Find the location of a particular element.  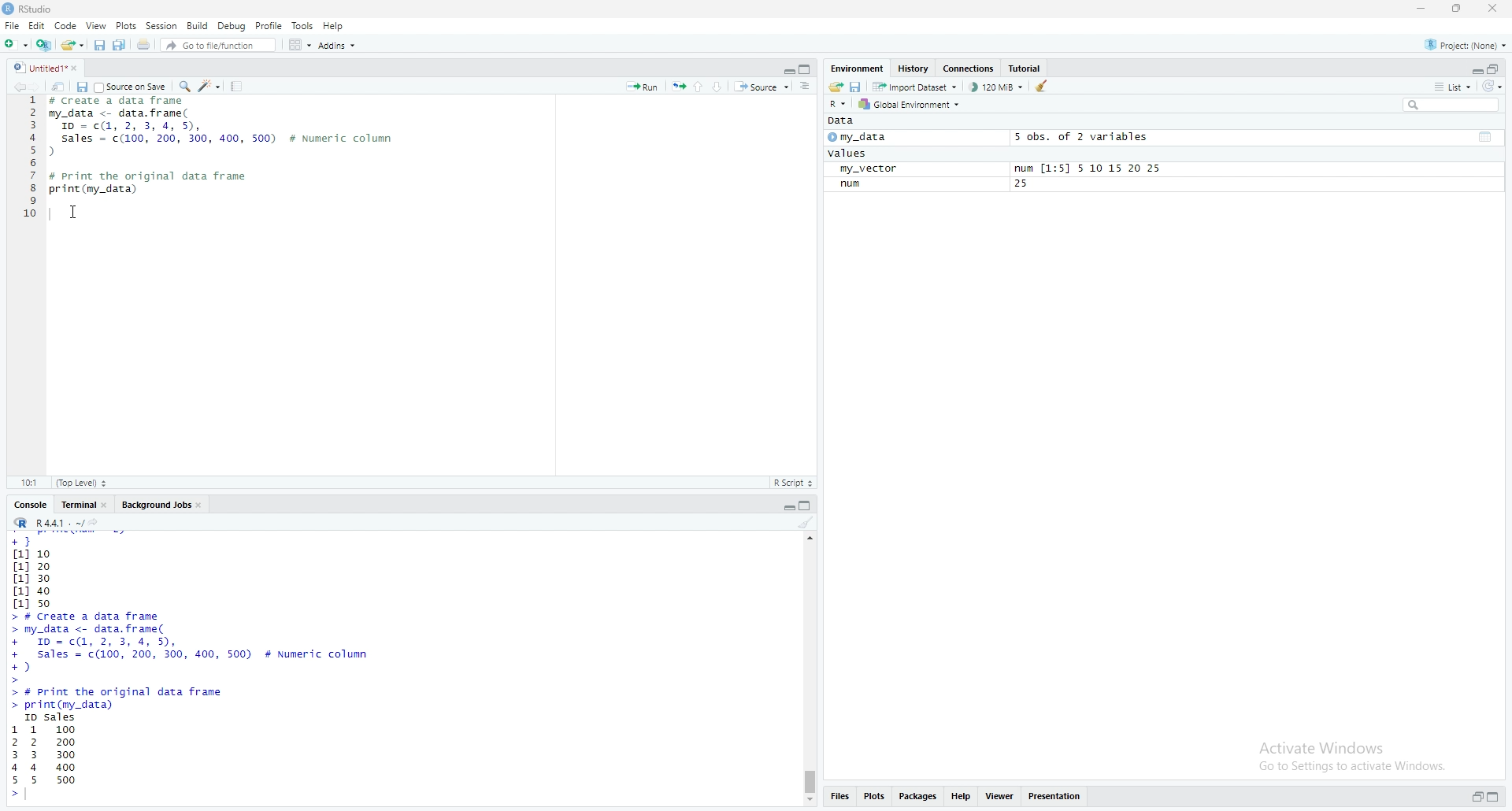

tutorial is located at coordinates (1025, 69).